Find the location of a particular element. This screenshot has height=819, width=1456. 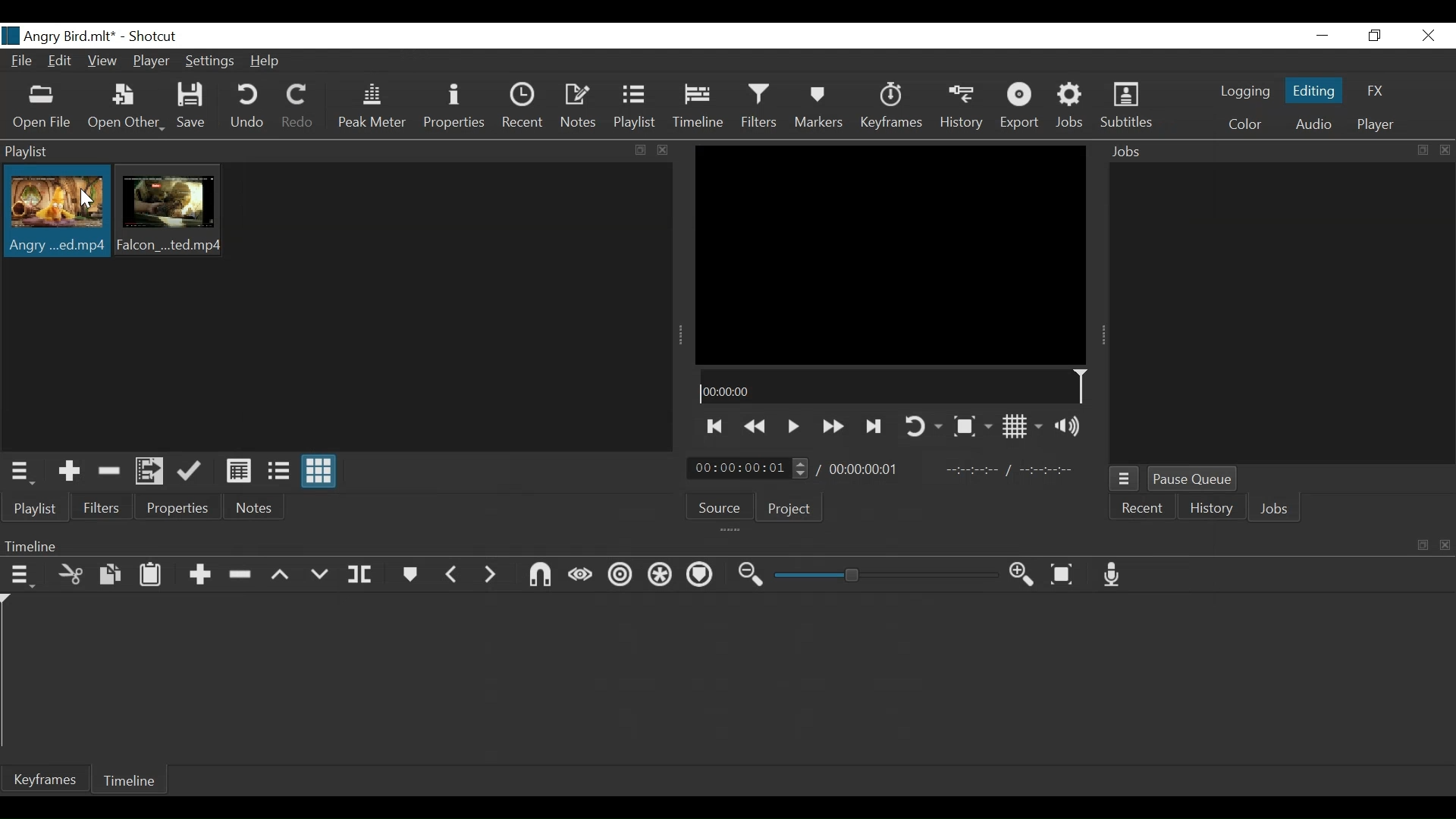

Source is located at coordinates (720, 507).